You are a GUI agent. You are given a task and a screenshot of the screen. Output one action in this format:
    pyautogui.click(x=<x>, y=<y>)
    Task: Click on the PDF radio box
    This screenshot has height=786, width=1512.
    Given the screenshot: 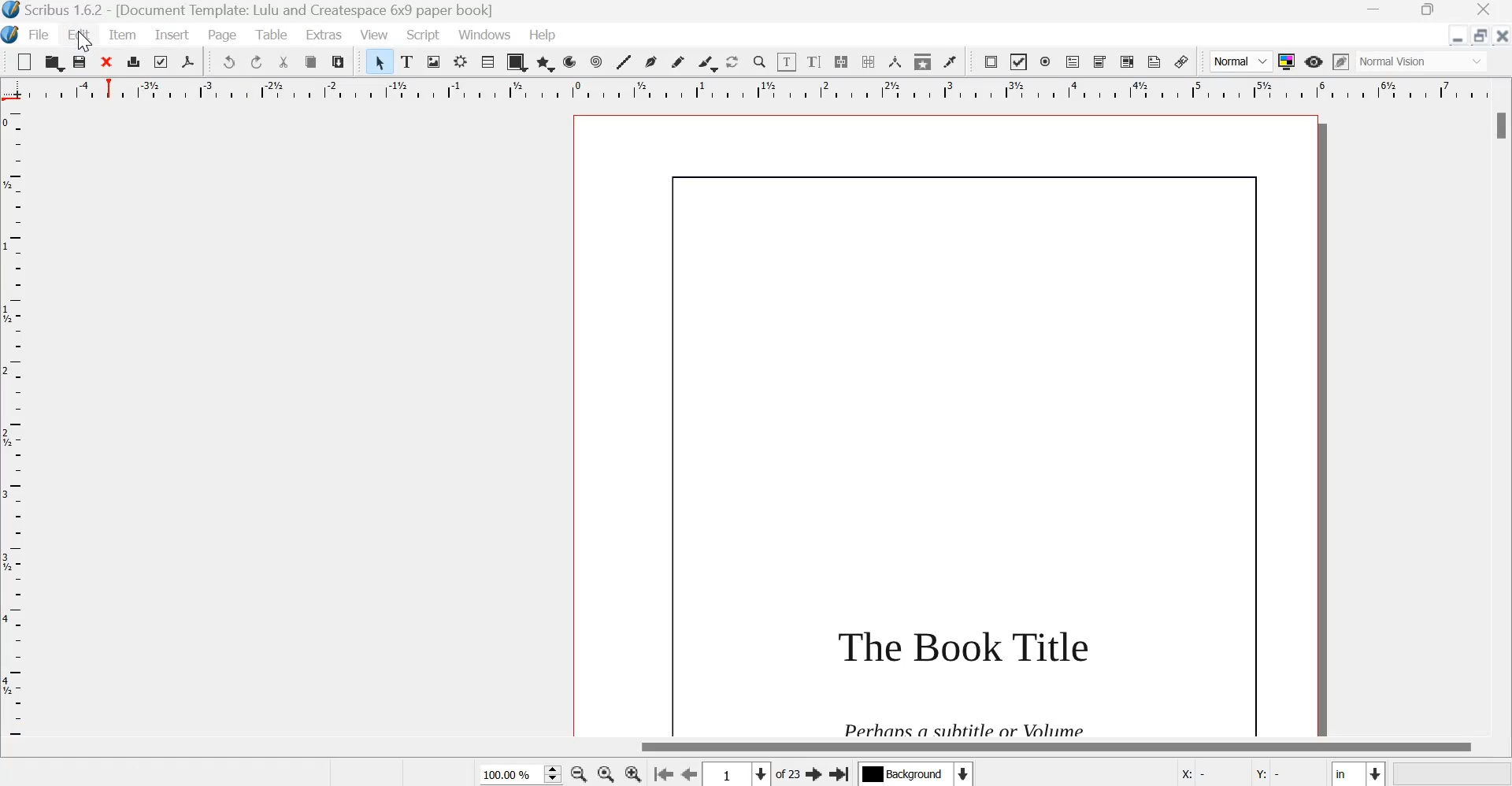 What is the action you would take?
    pyautogui.click(x=1046, y=61)
    